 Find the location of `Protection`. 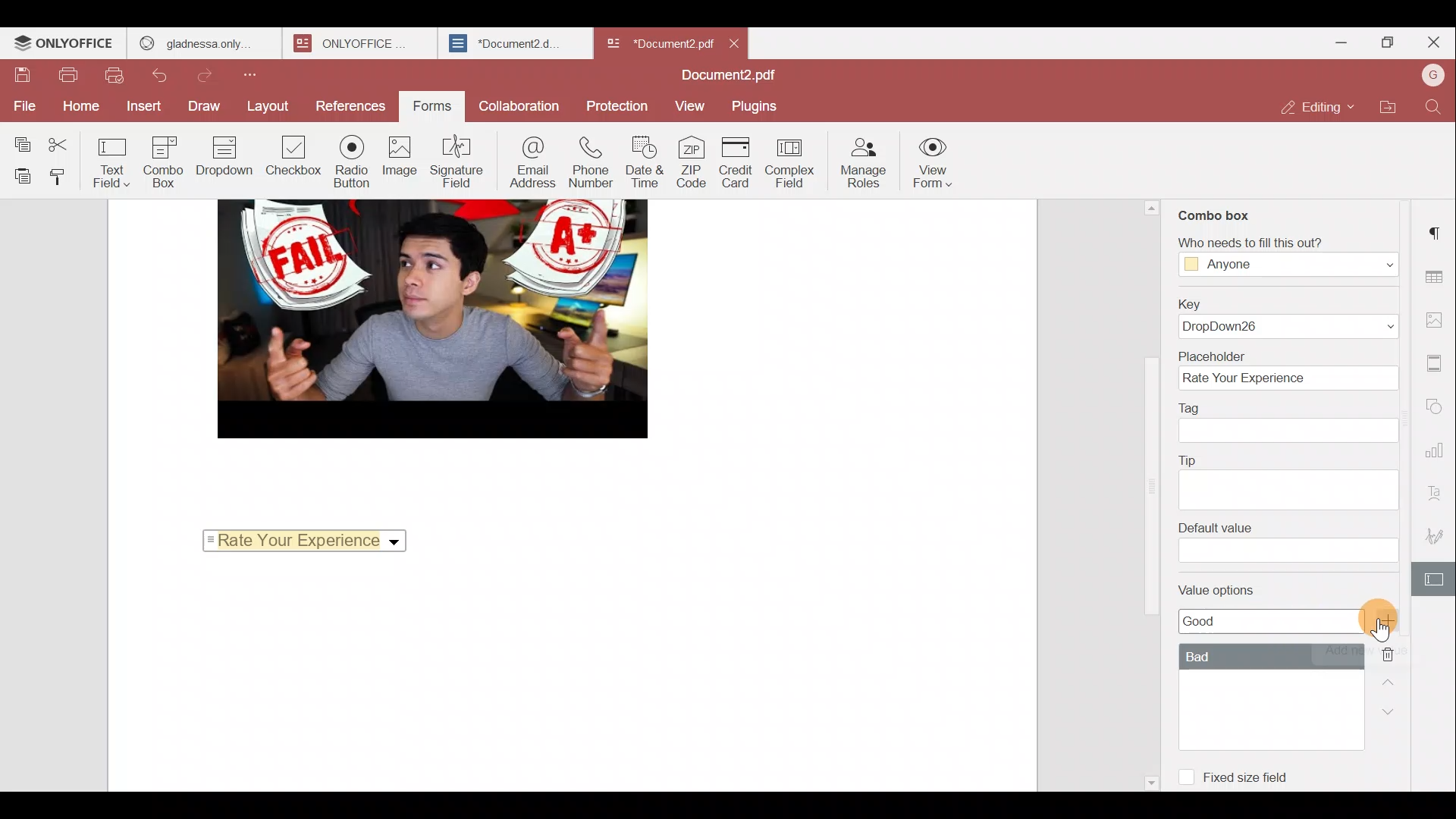

Protection is located at coordinates (616, 103).